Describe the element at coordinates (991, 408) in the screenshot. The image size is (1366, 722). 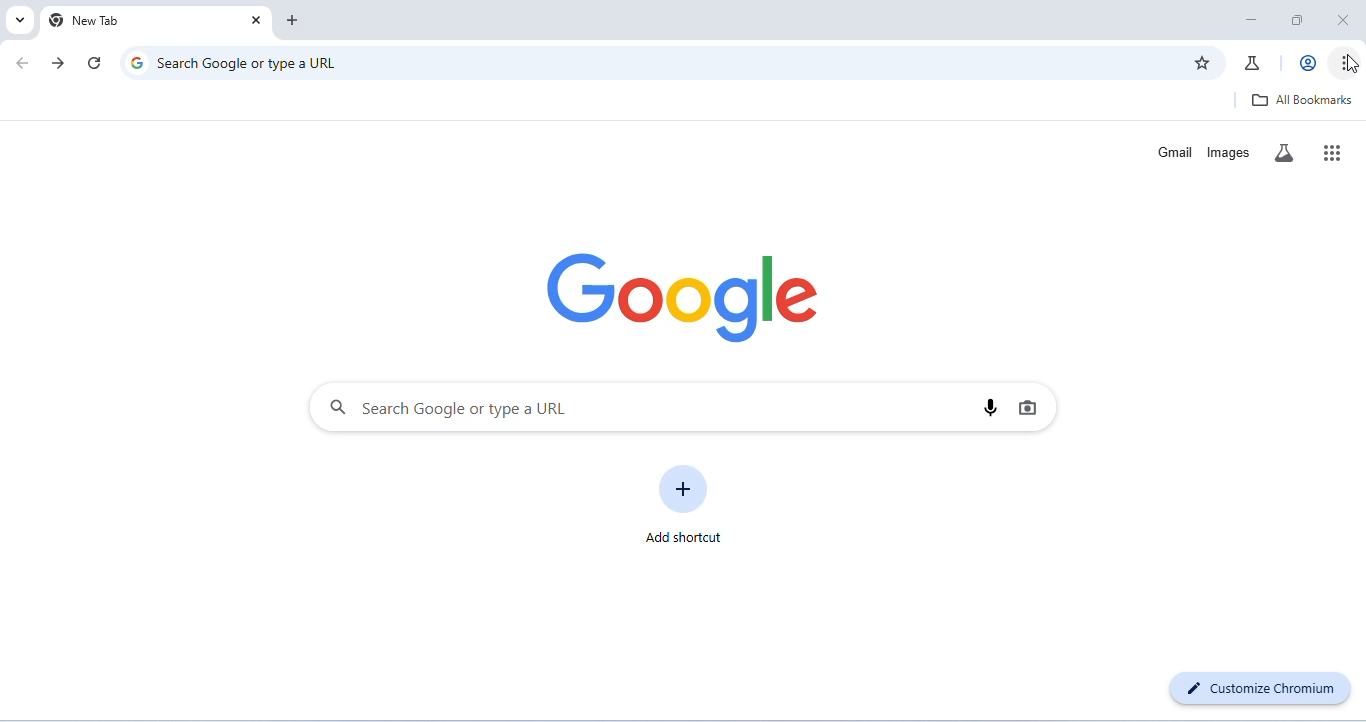
I see `voice search` at that location.